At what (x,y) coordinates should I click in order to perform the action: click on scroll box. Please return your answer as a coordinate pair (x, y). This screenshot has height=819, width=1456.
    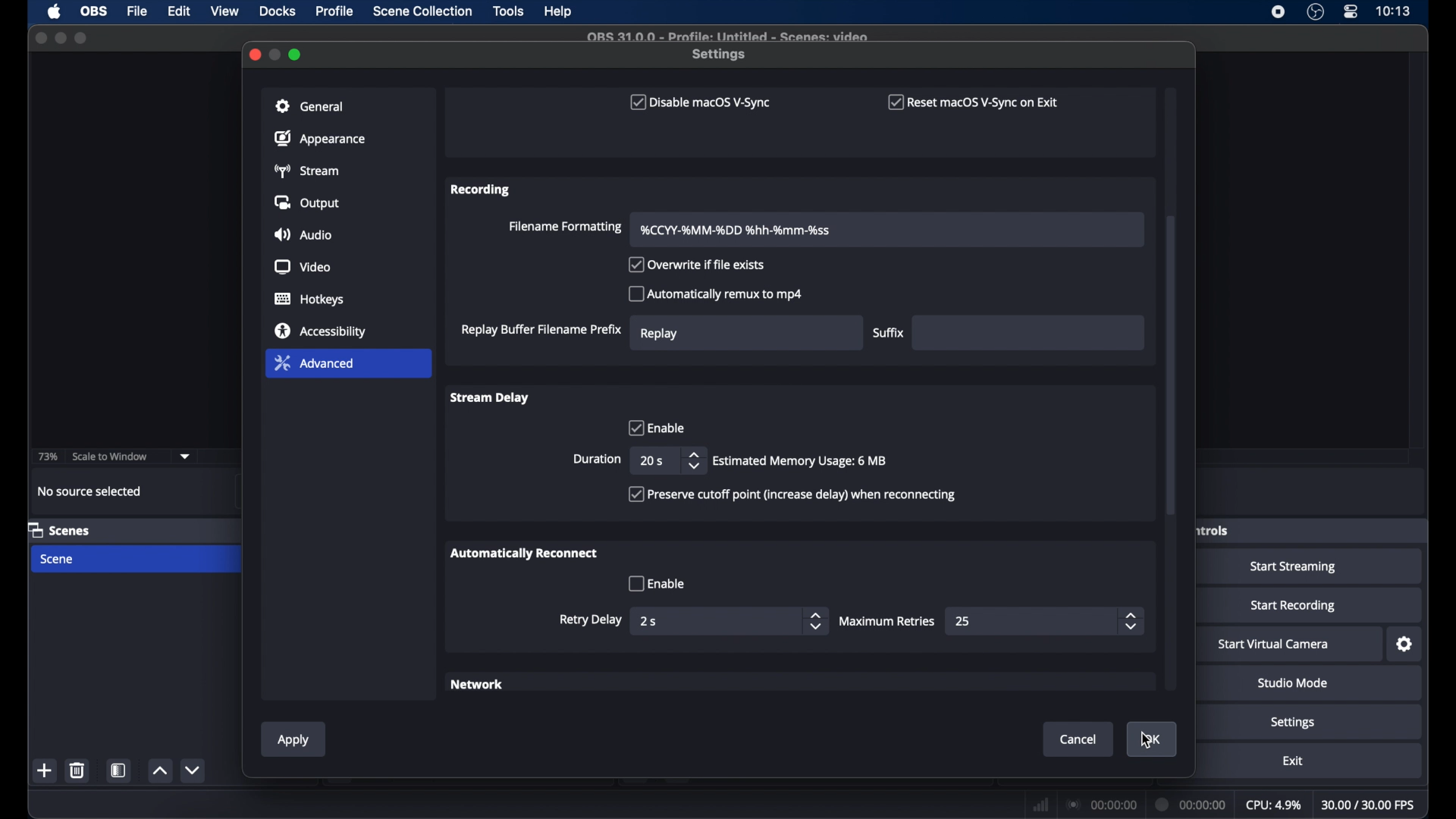
    Looking at the image, I should click on (1171, 367).